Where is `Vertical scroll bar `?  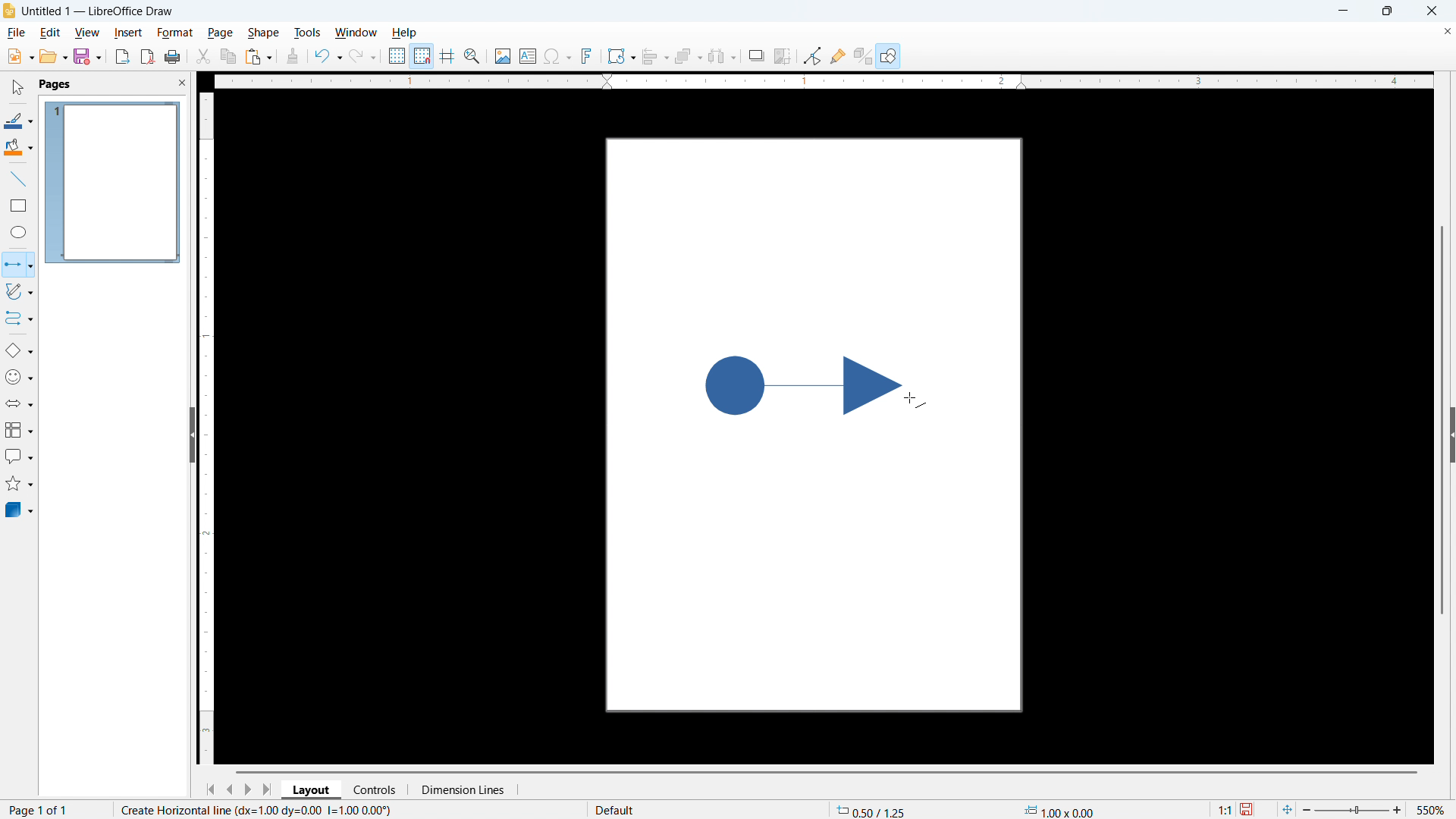 Vertical scroll bar  is located at coordinates (1442, 420).